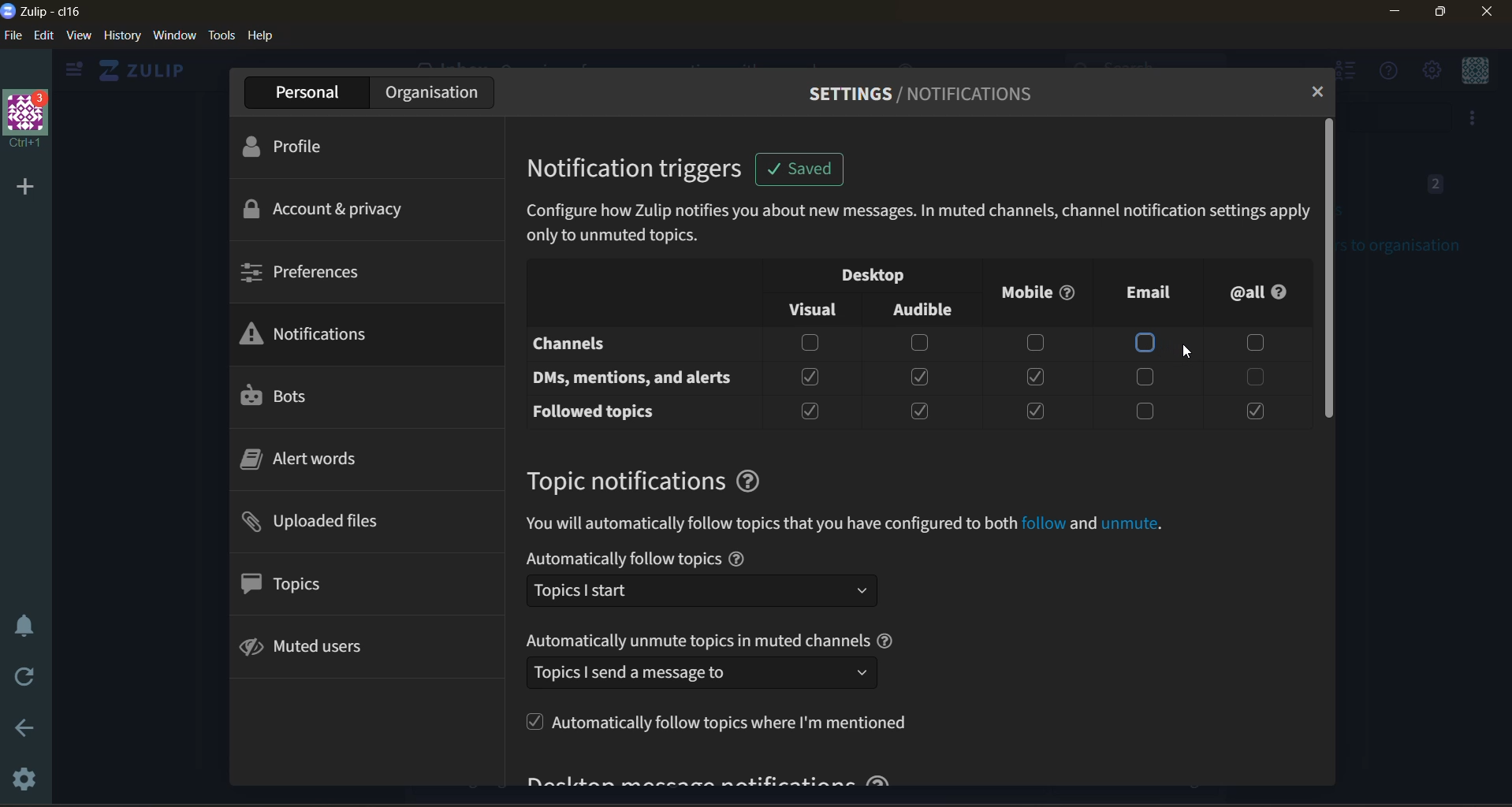 The image size is (1512, 807). I want to click on uploaded files, so click(324, 523).